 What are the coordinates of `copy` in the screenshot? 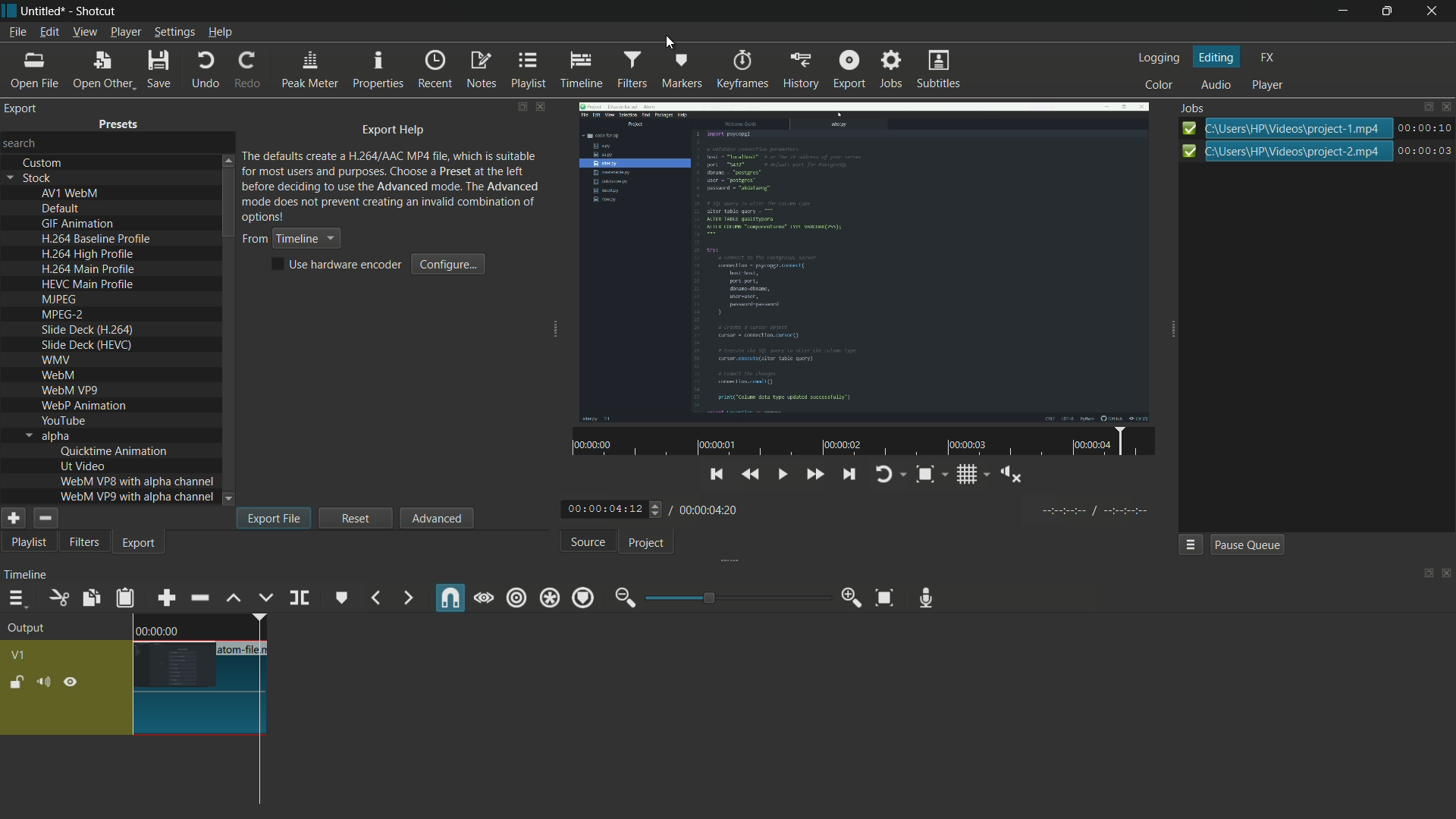 It's located at (88, 598).